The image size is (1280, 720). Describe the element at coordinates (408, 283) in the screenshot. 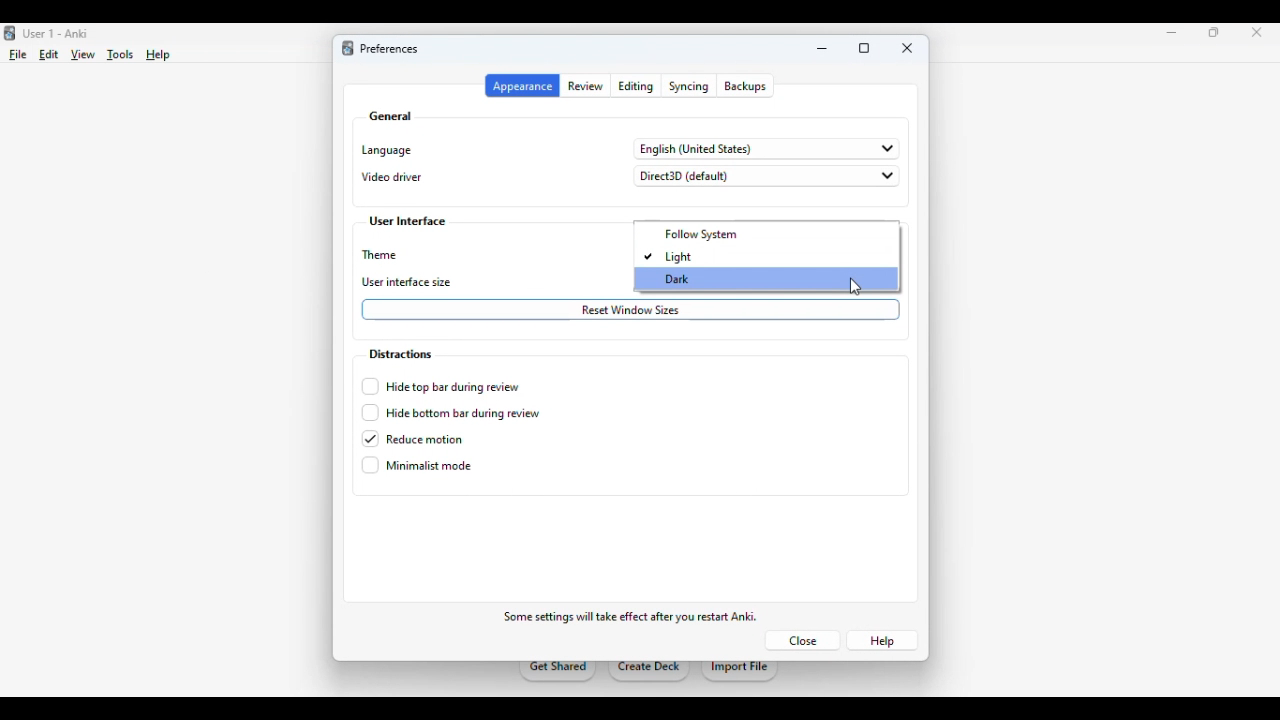

I see `user interface size` at that location.